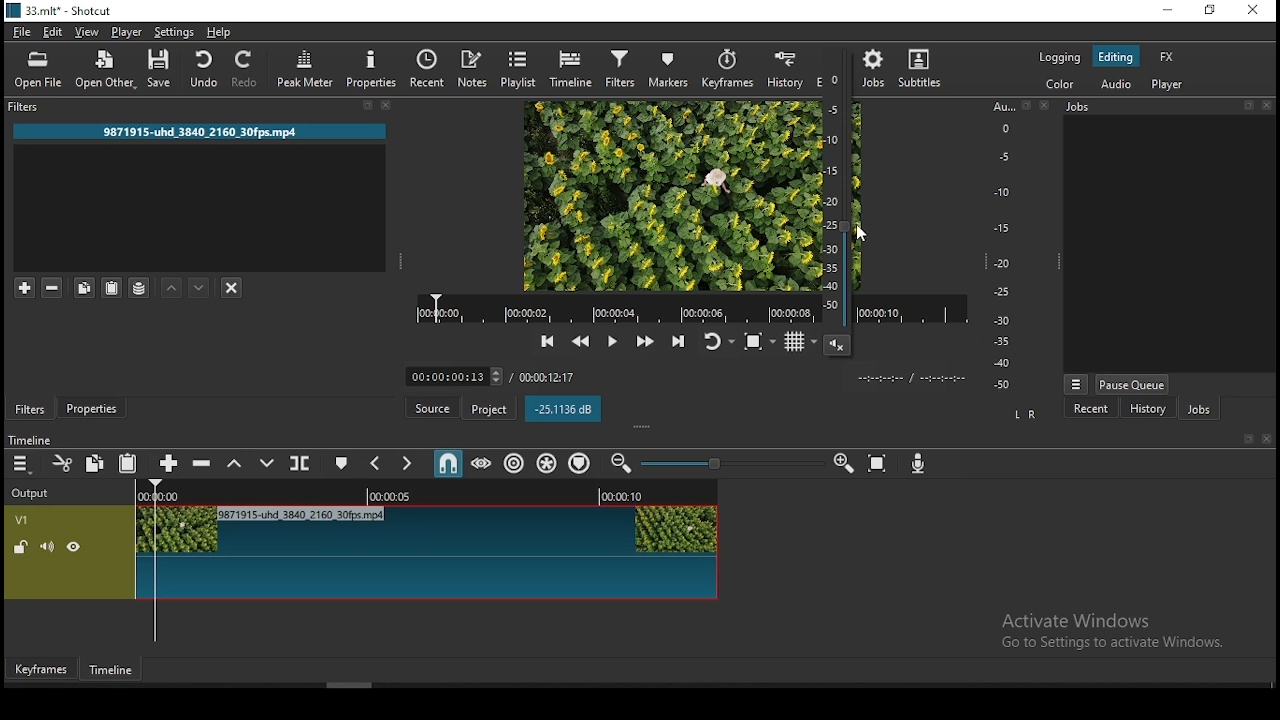 Image resolution: width=1280 pixels, height=720 pixels. What do you see at coordinates (56, 12) in the screenshot?
I see `33.mlt* - Shotcut` at bounding box center [56, 12].